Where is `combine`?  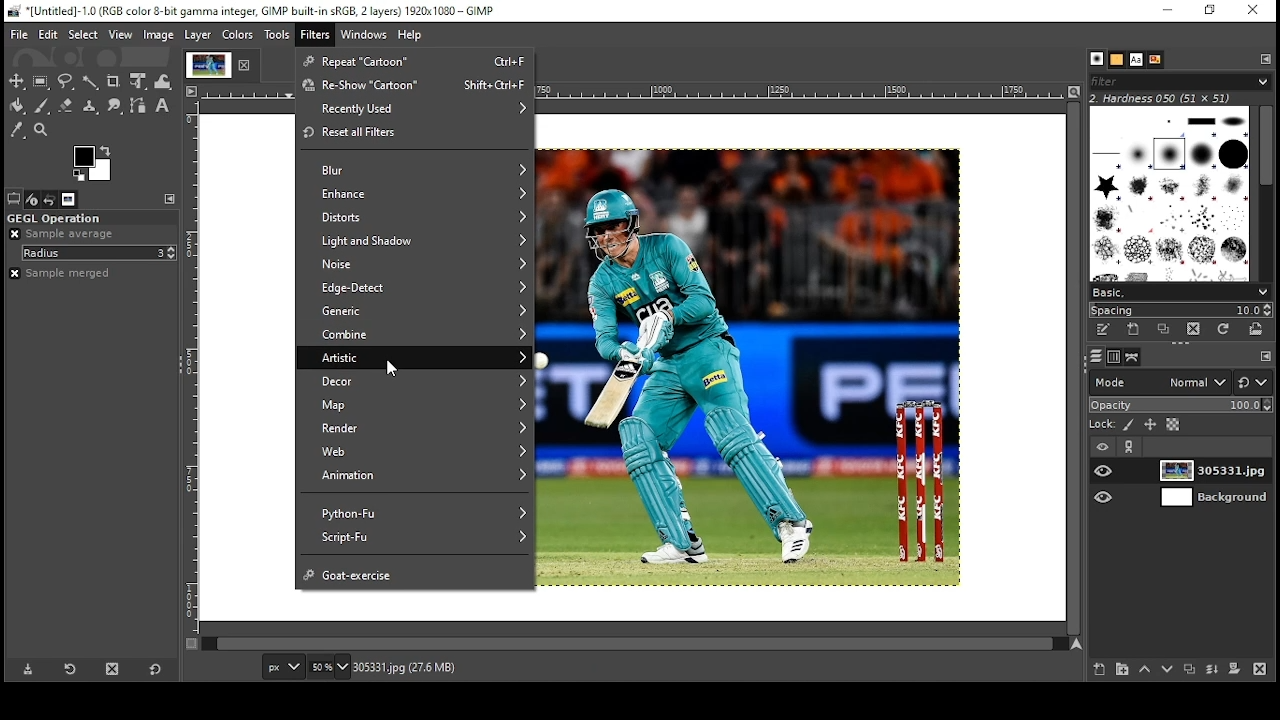
combine is located at coordinates (415, 334).